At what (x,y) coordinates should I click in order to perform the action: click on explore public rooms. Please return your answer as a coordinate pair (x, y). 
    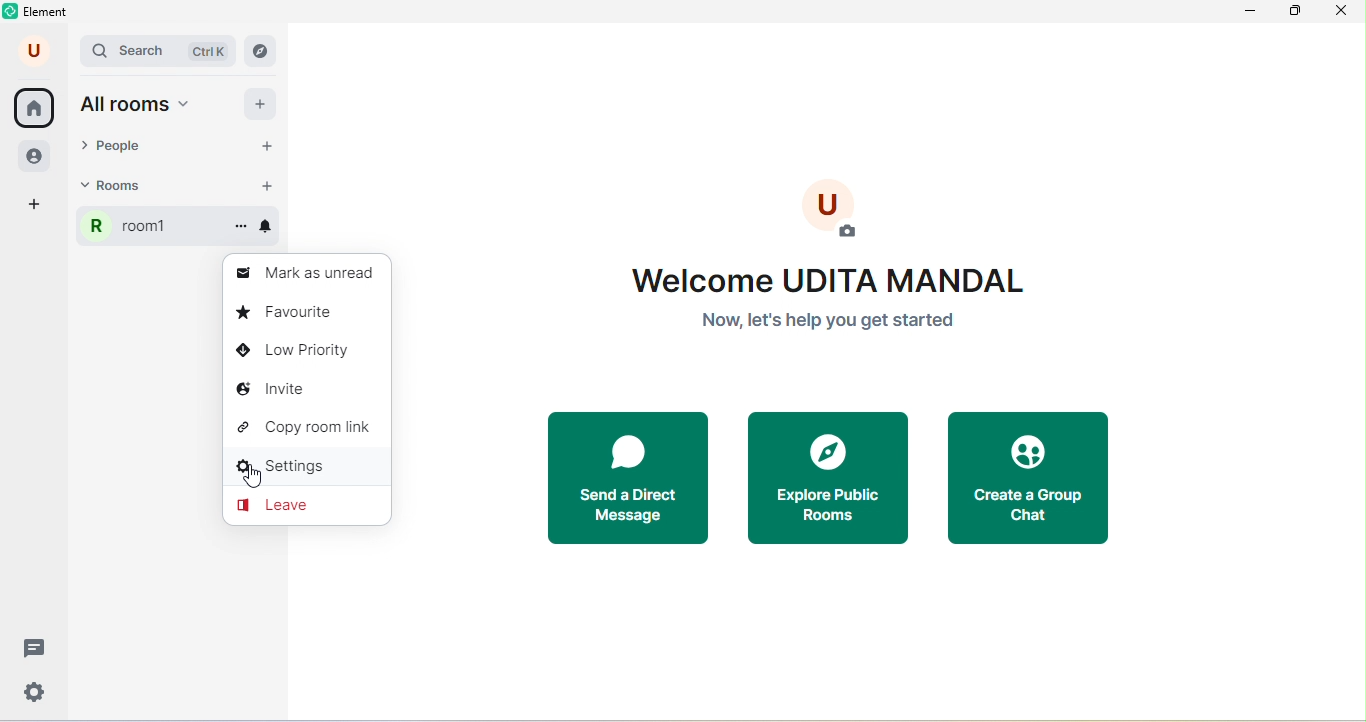
    Looking at the image, I should click on (829, 479).